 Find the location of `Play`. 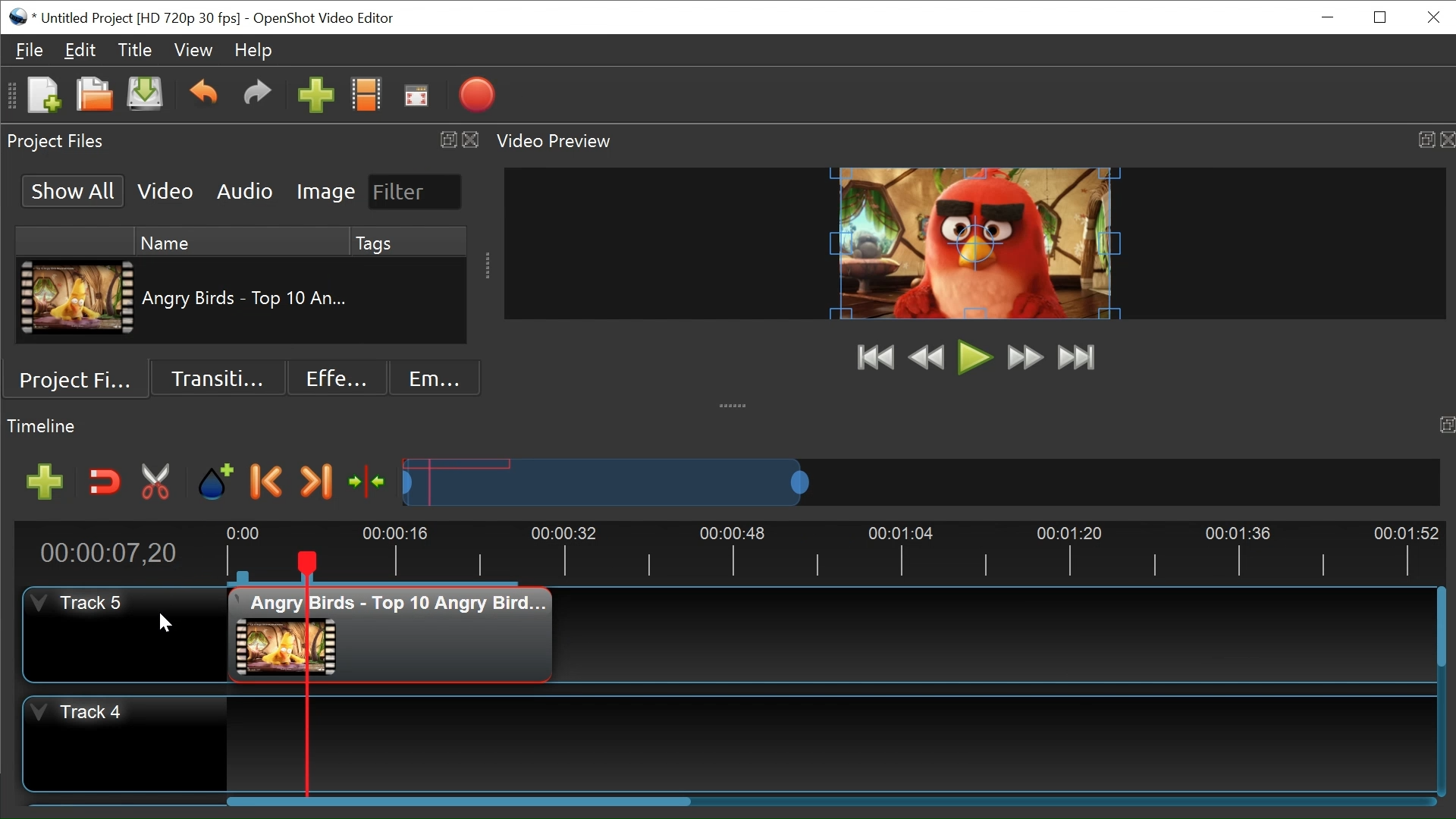

Play is located at coordinates (975, 356).